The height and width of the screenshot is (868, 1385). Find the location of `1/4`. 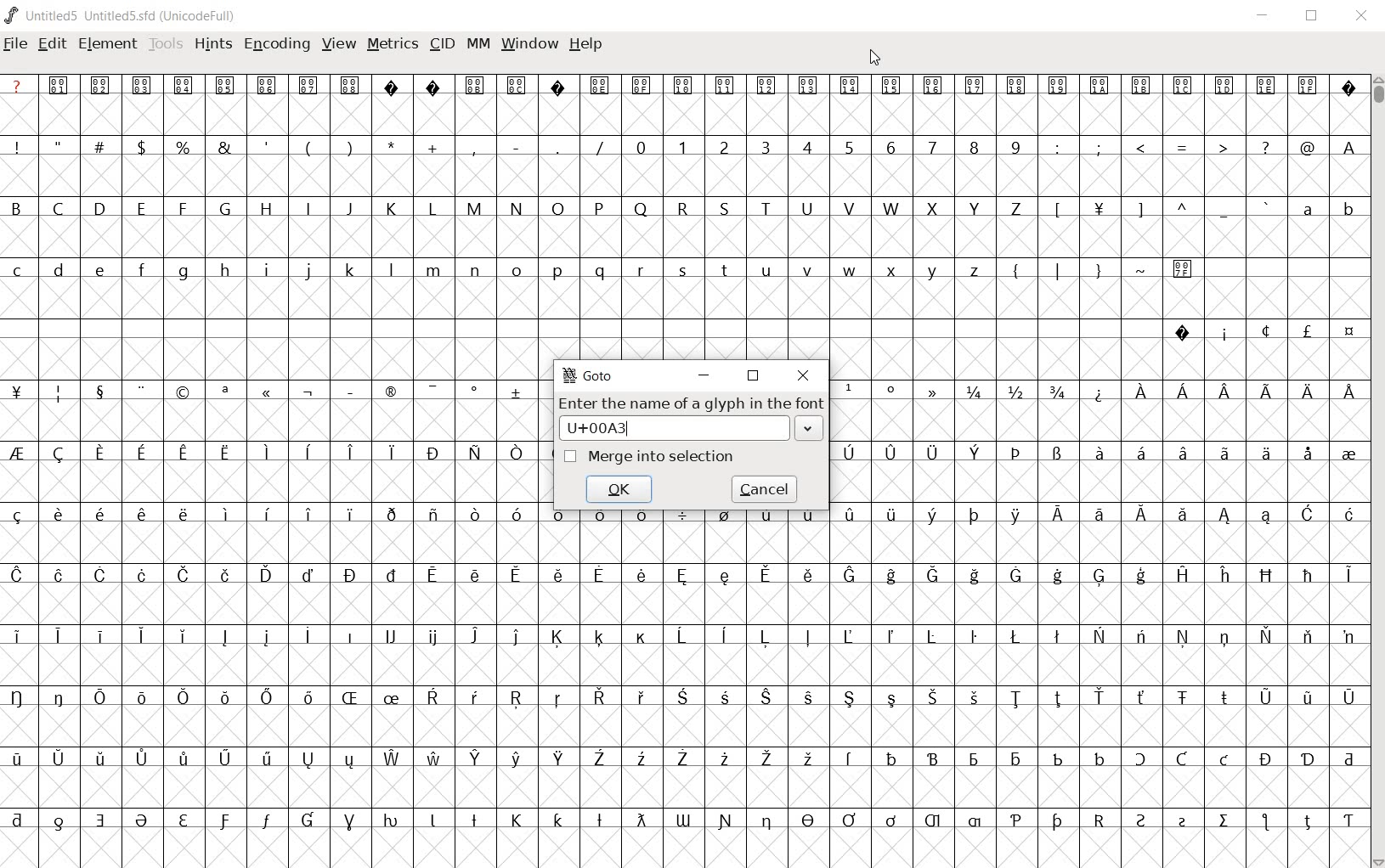

1/4 is located at coordinates (974, 392).